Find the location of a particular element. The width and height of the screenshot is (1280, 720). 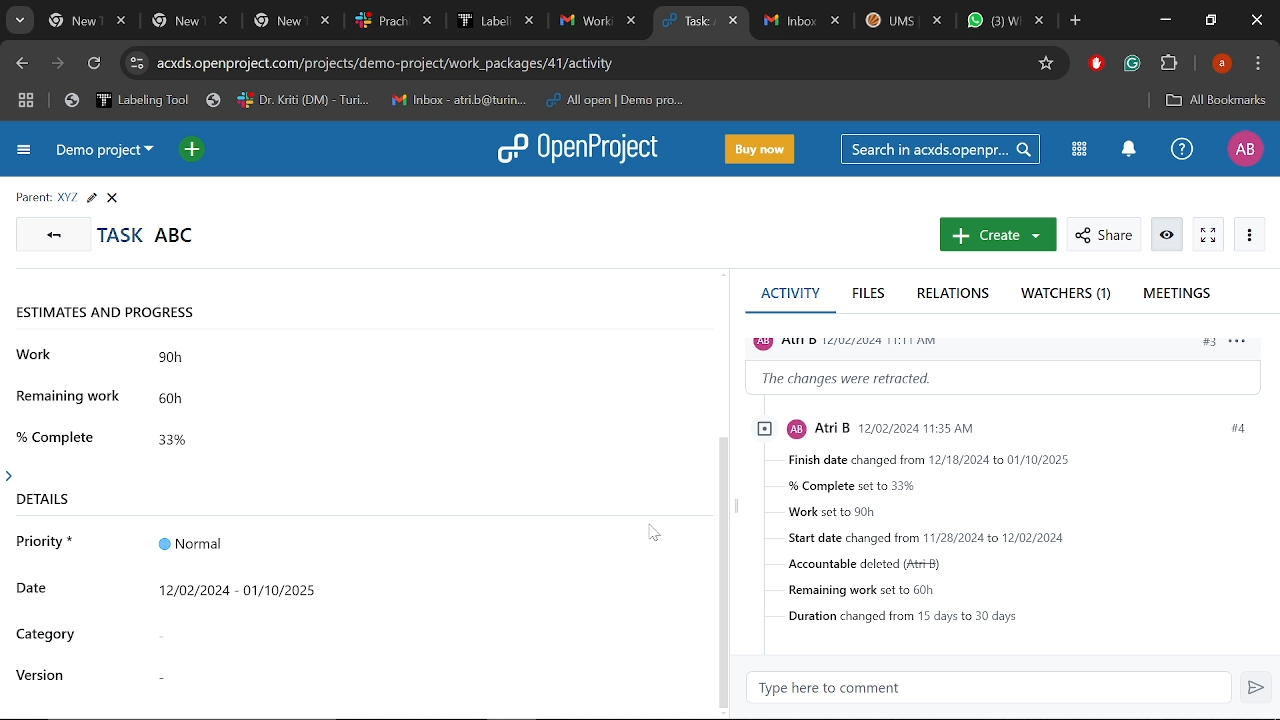

cursor is located at coordinates (649, 526).